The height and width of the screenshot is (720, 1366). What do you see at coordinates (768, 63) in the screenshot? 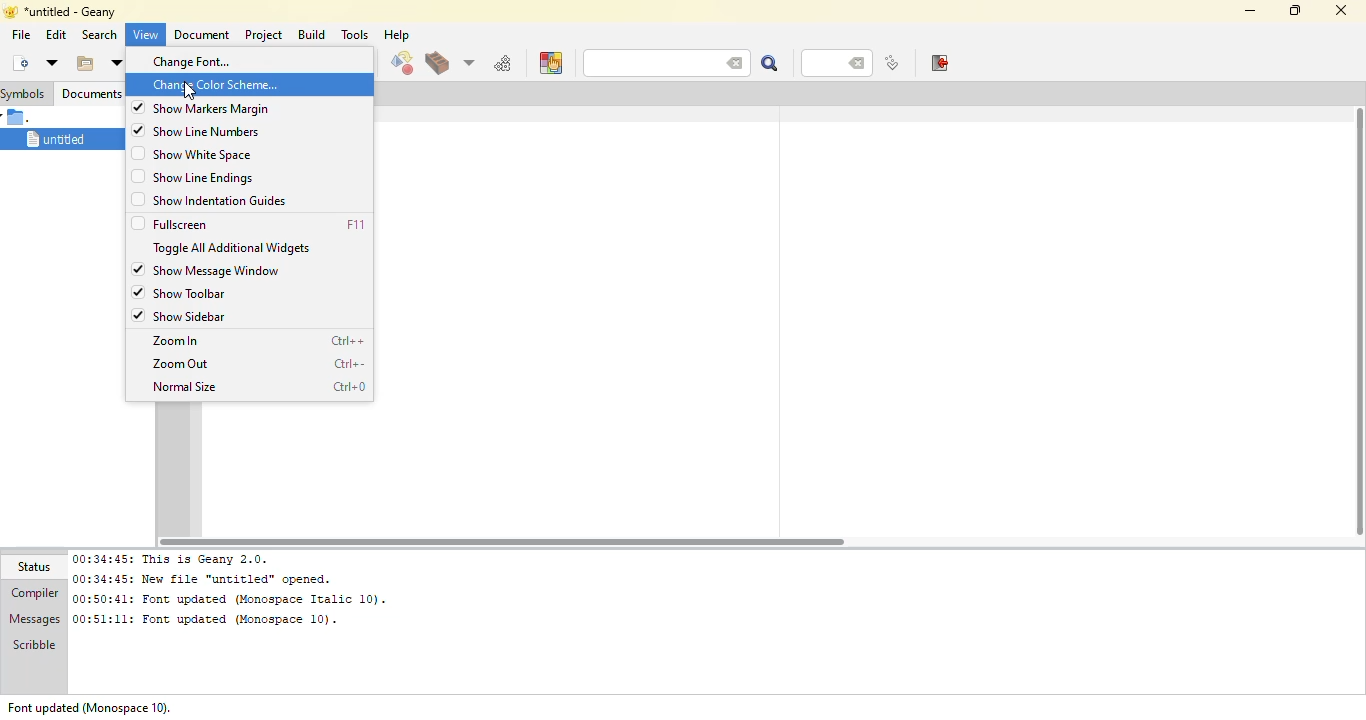
I see `search` at bounding box center [768, 63].